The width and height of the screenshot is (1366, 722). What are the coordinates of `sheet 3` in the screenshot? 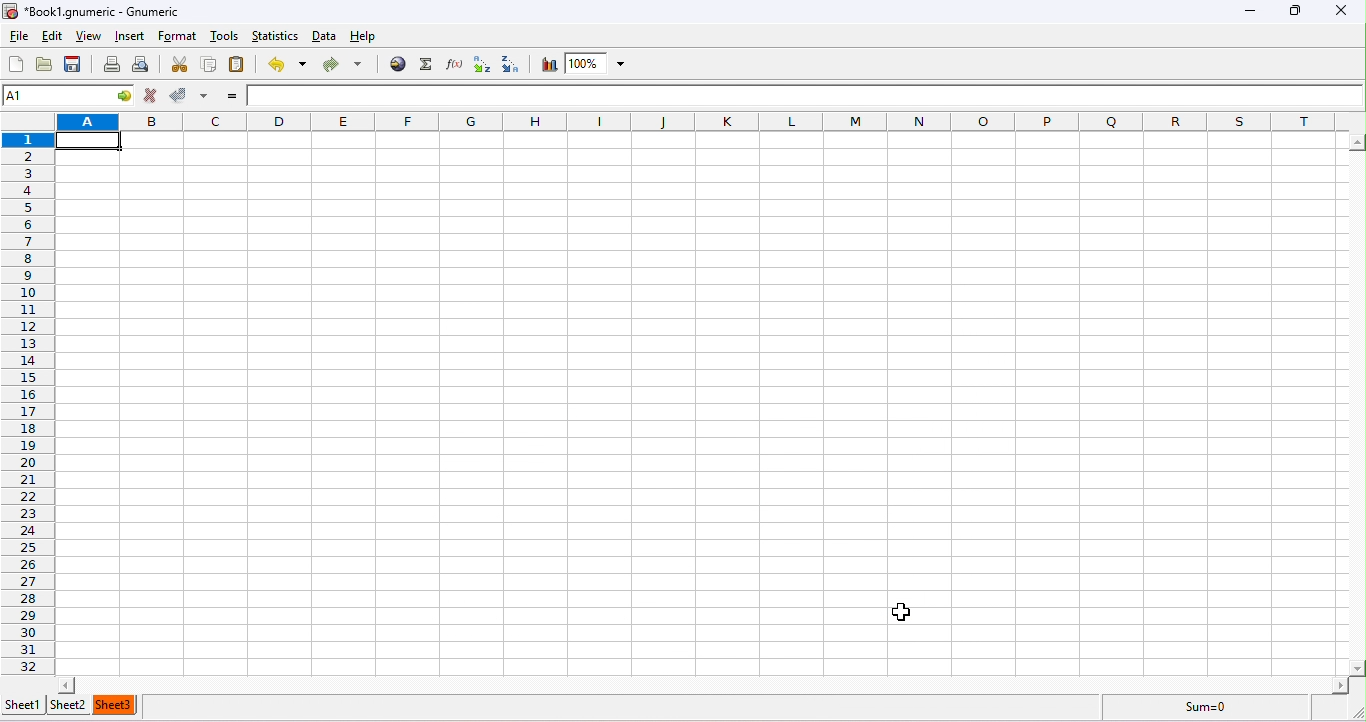 It's located at (117, 705).